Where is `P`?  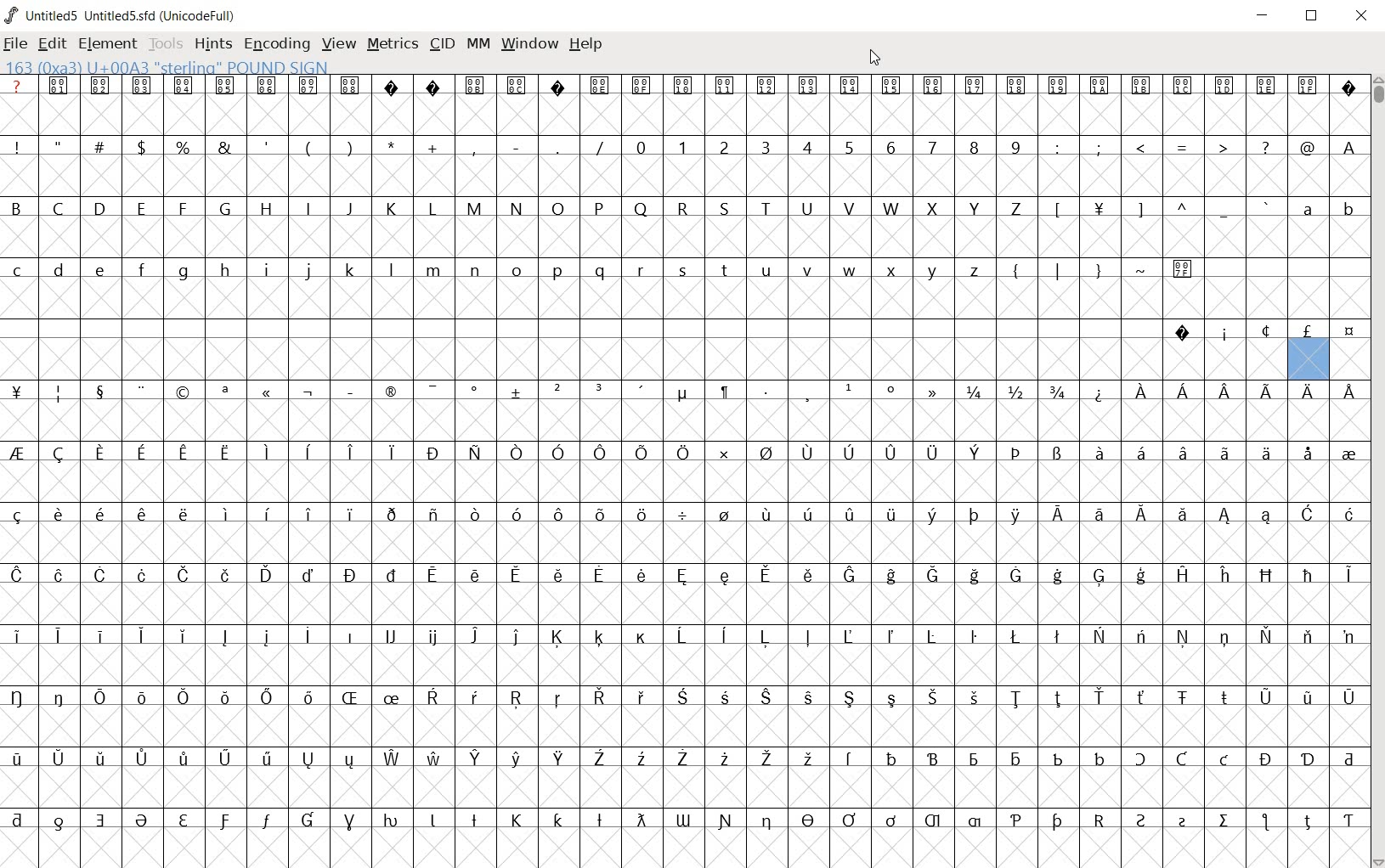 P is located at coordinates (597, 210).